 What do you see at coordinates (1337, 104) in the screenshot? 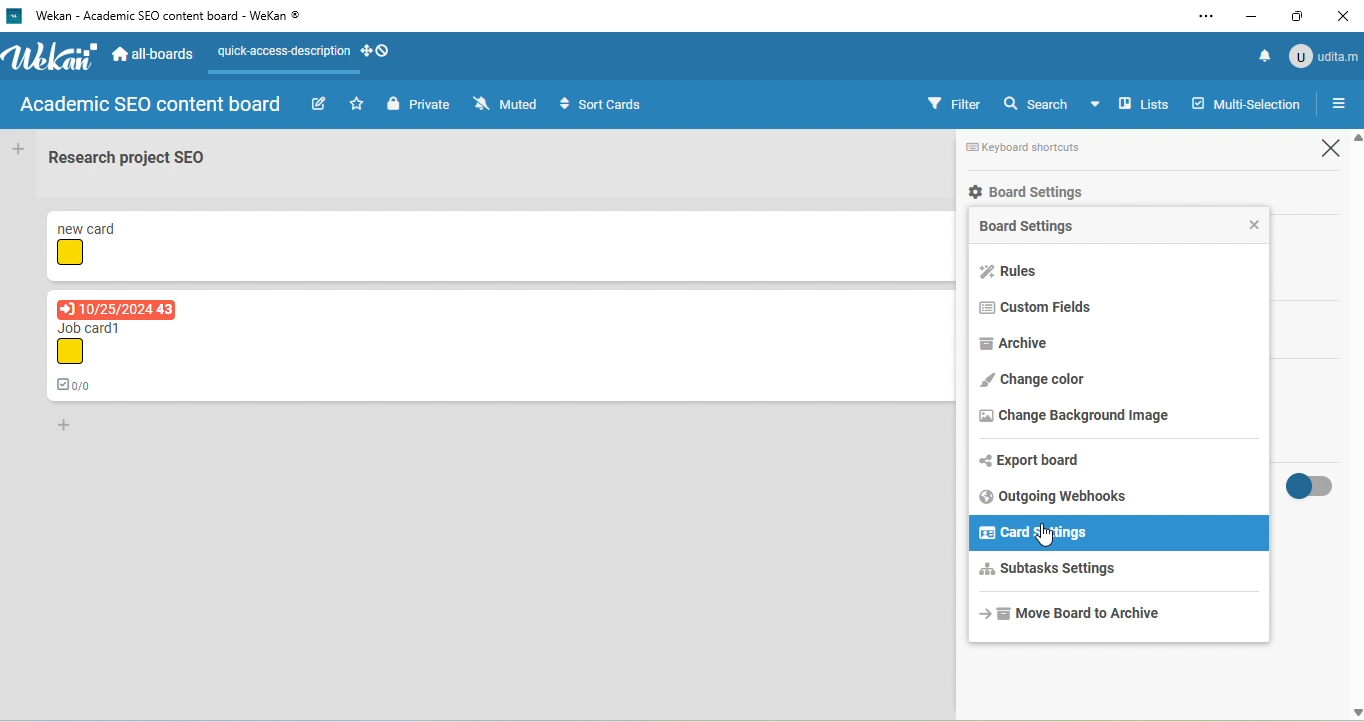
I see `open or close sidebar` at bounding box center [1337, 104].